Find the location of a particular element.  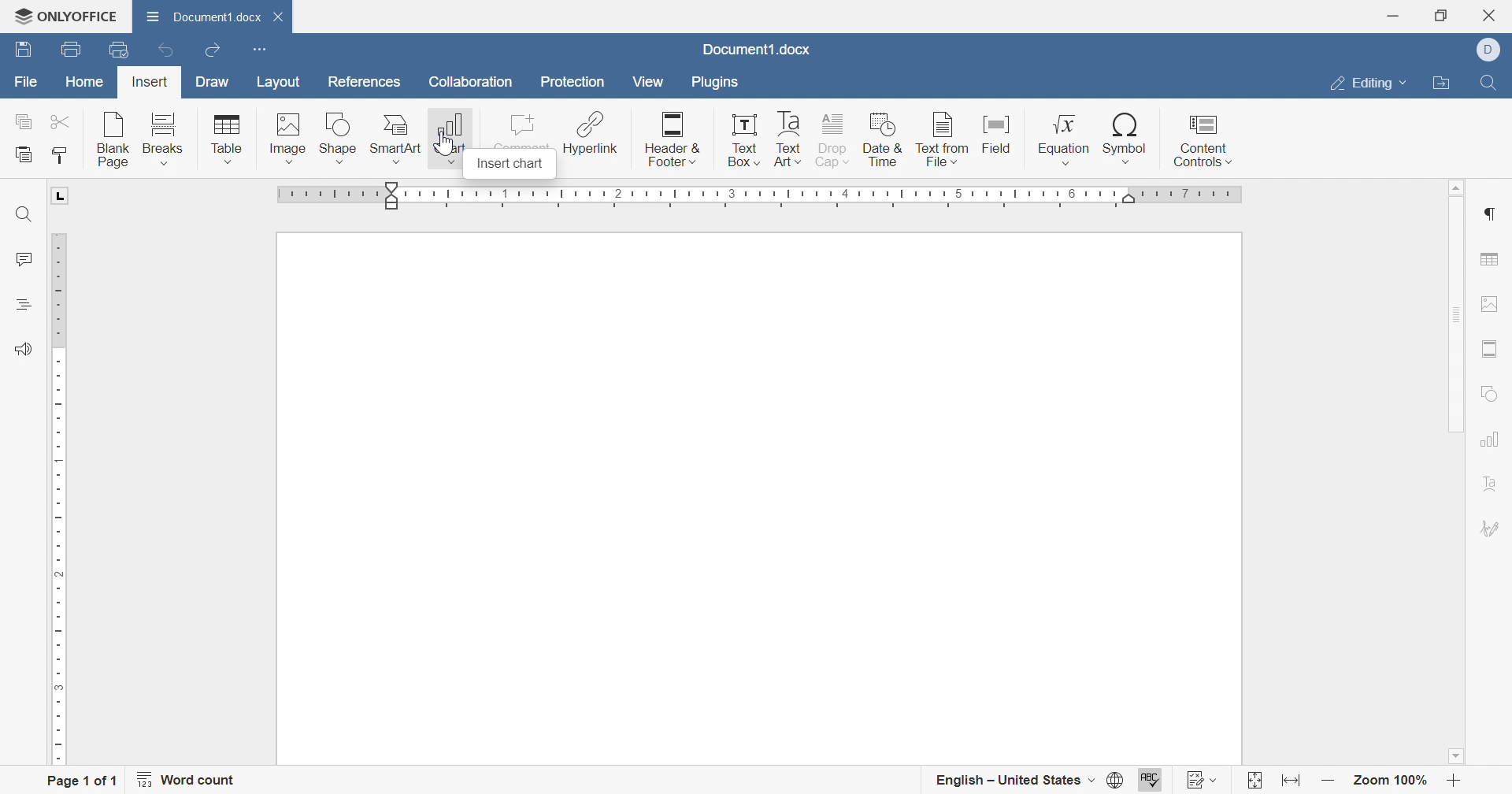

Date &Time is located at coordinates (883, 139).